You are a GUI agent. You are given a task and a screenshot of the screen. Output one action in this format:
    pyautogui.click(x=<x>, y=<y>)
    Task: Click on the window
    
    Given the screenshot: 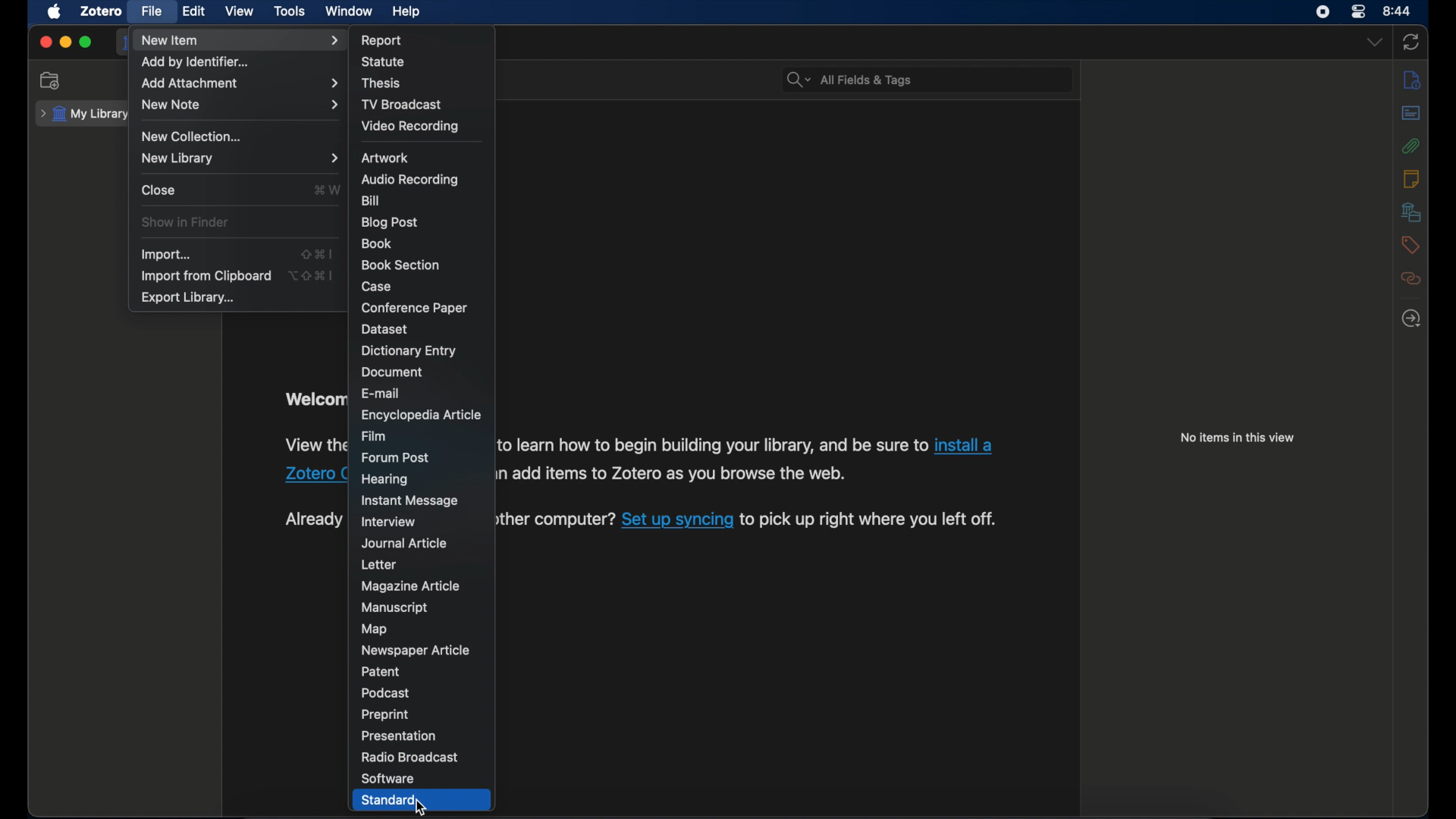 What is the action you would take?
    pyautogui.click(x=347, y=11)
    